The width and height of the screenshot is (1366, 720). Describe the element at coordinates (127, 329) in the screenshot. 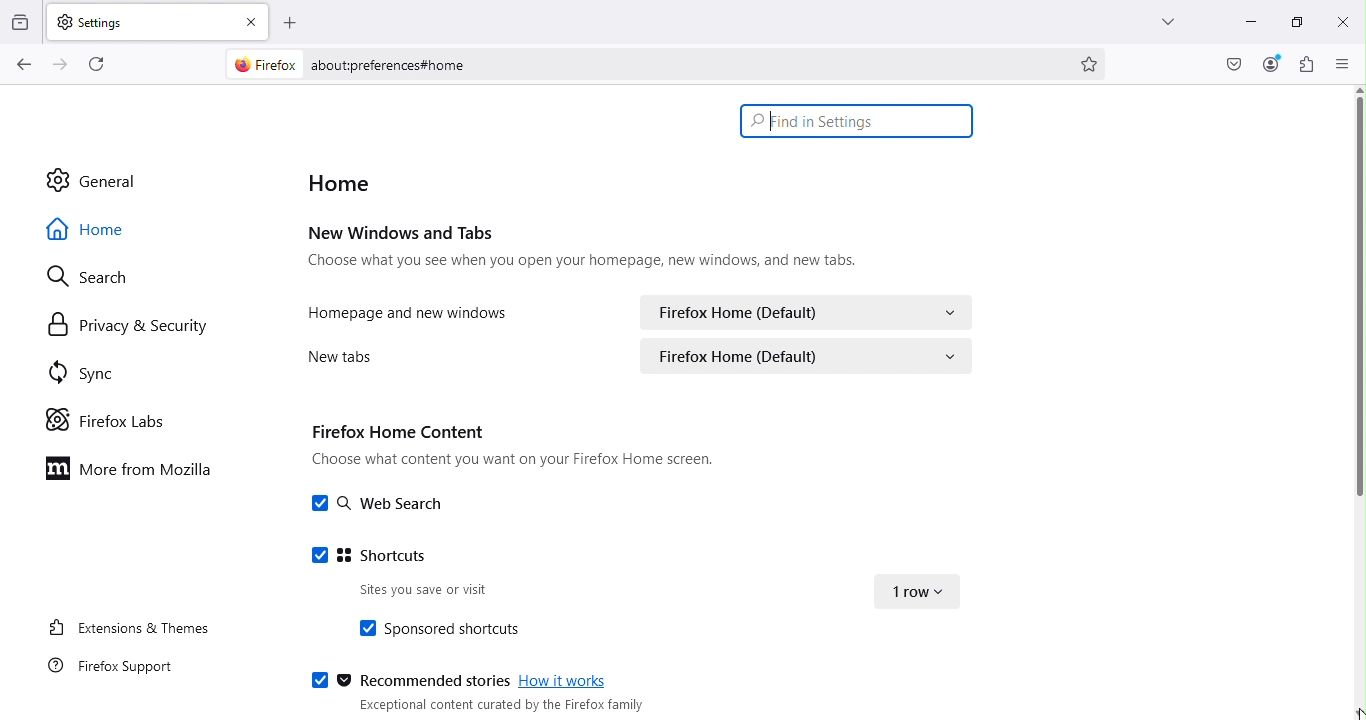

I see `Privacy and security` at that location.